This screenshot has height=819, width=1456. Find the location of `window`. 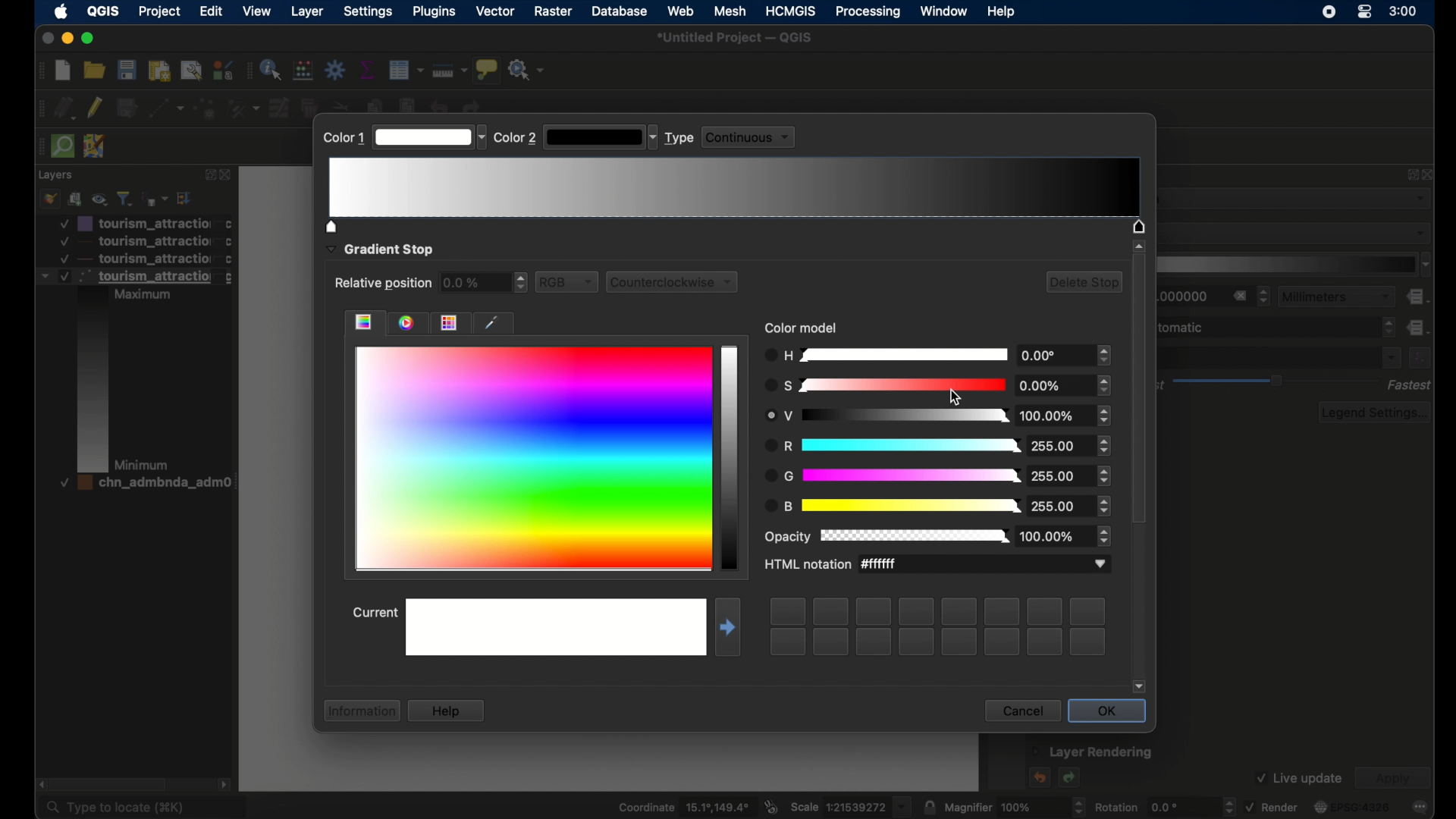

window is located at coordinates (943, 11).